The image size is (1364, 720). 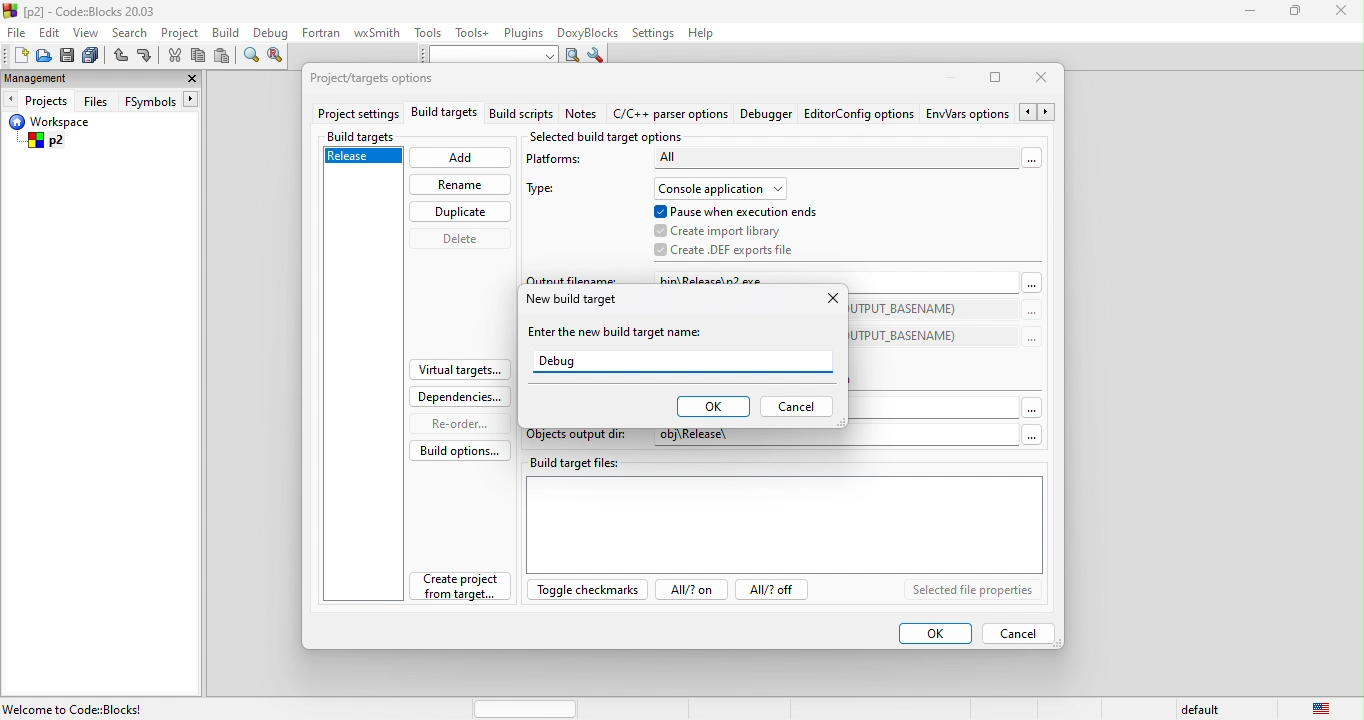 What do you see at coordinates (463, 585) in the screenshot?
I see `create project from target` at bounding box center [463, 585].